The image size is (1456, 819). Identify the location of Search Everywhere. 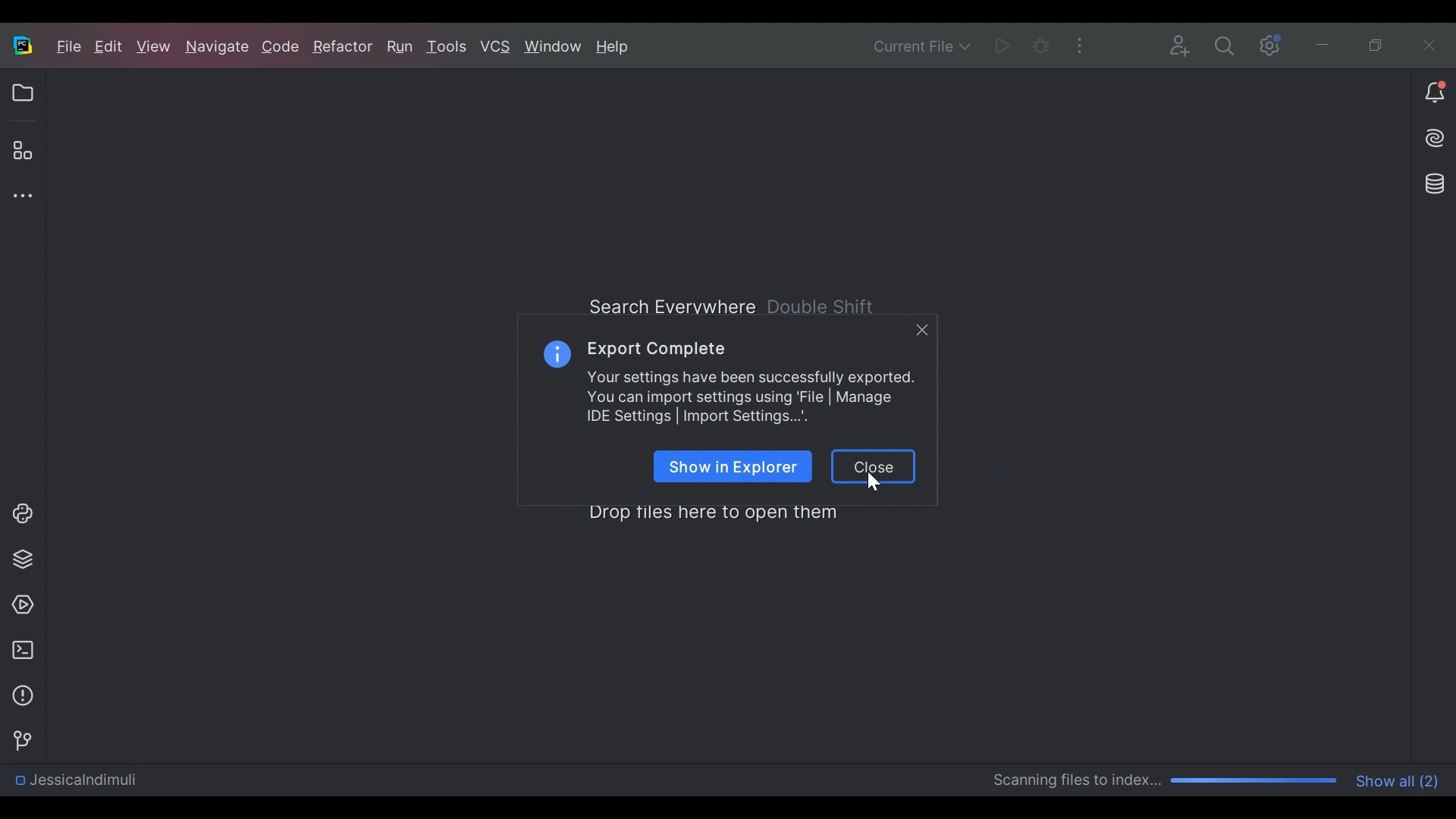
(736, 304).